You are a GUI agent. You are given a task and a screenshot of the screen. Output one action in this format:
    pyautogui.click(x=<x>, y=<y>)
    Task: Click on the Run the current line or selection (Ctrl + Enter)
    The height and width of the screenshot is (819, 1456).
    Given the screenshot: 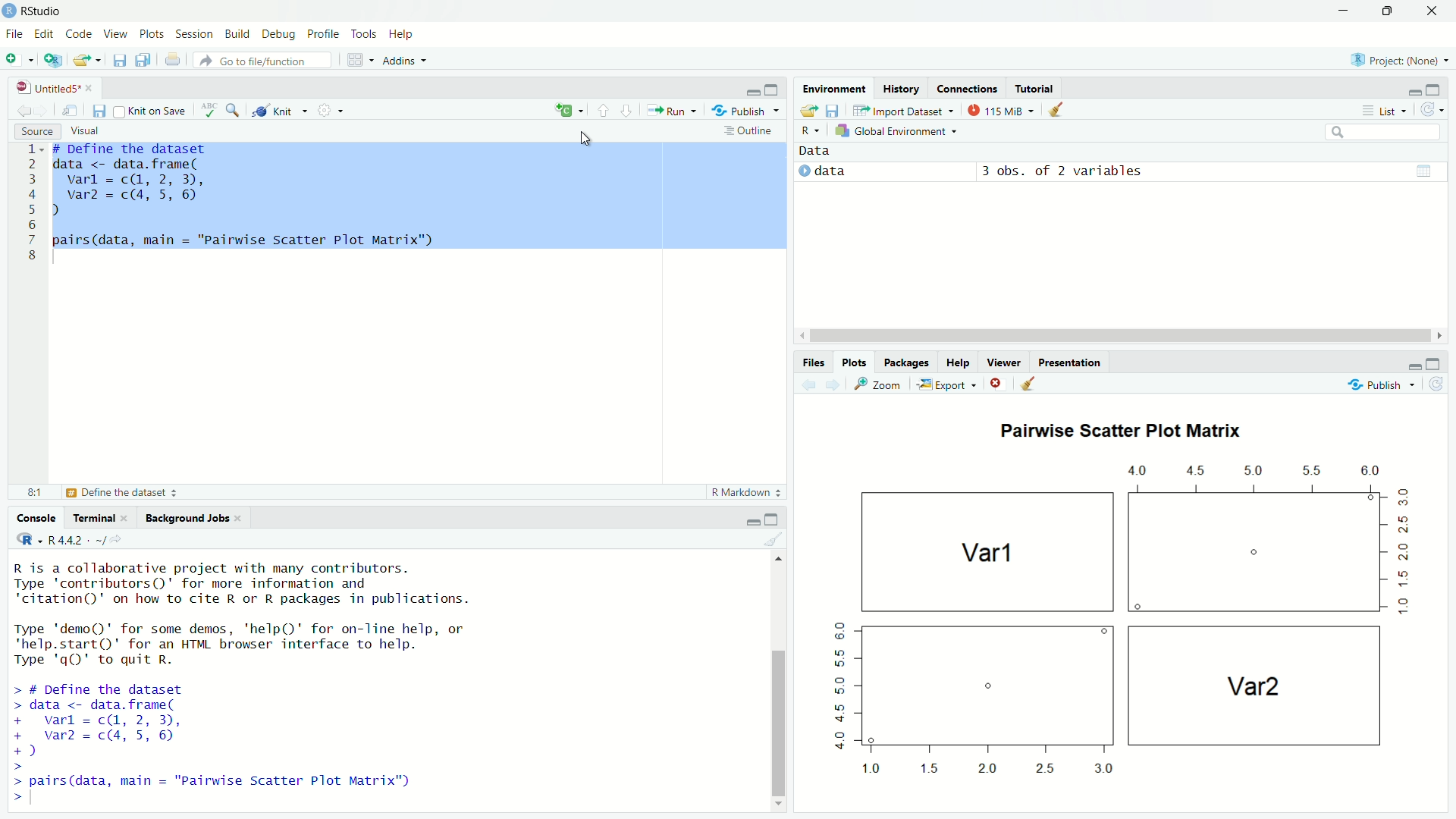 What is the action you would take?
    pyautogui.click(x=670, y=109)
    